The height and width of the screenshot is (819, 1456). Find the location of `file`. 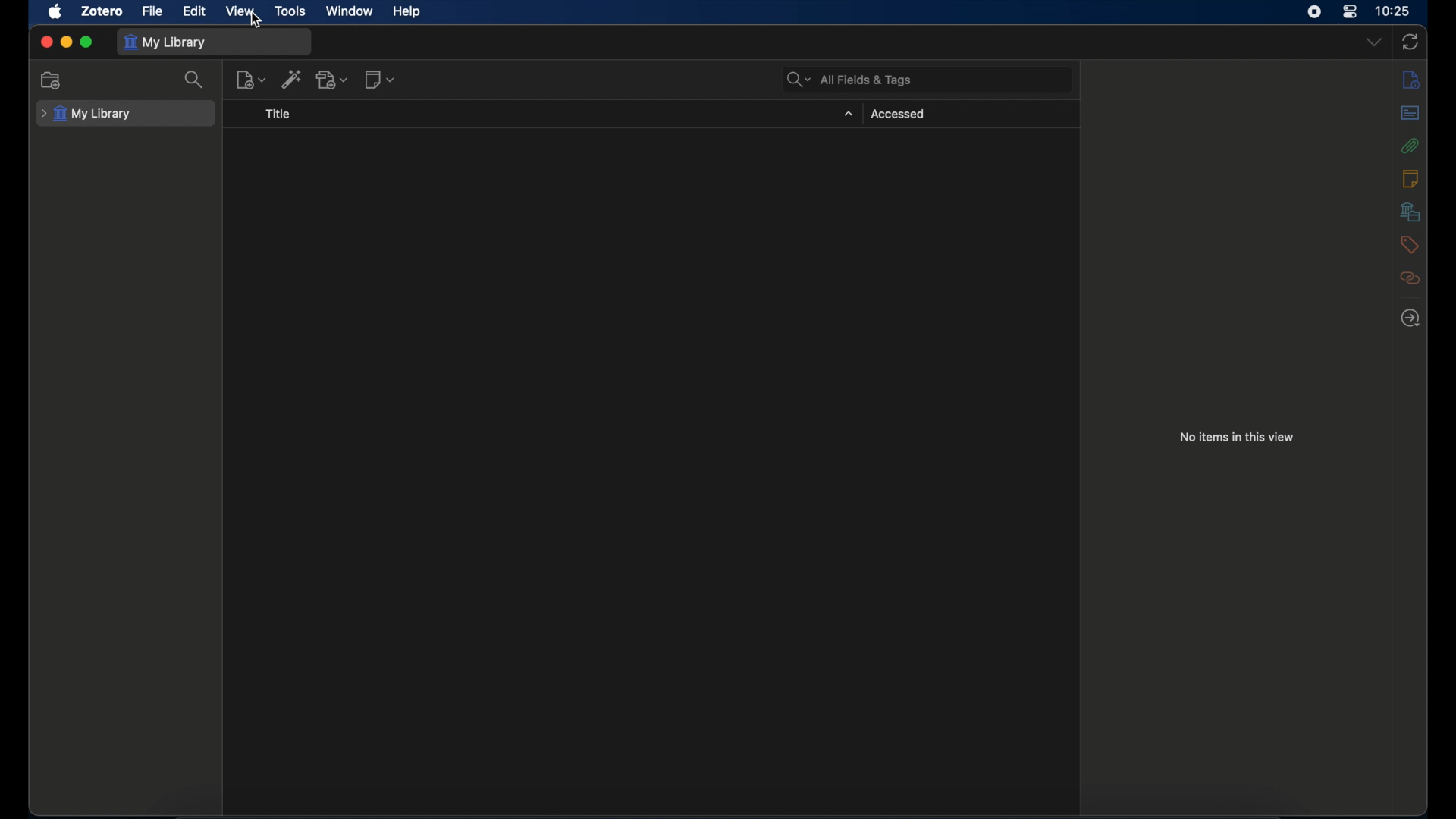

file is located at coordinates (152, 11).